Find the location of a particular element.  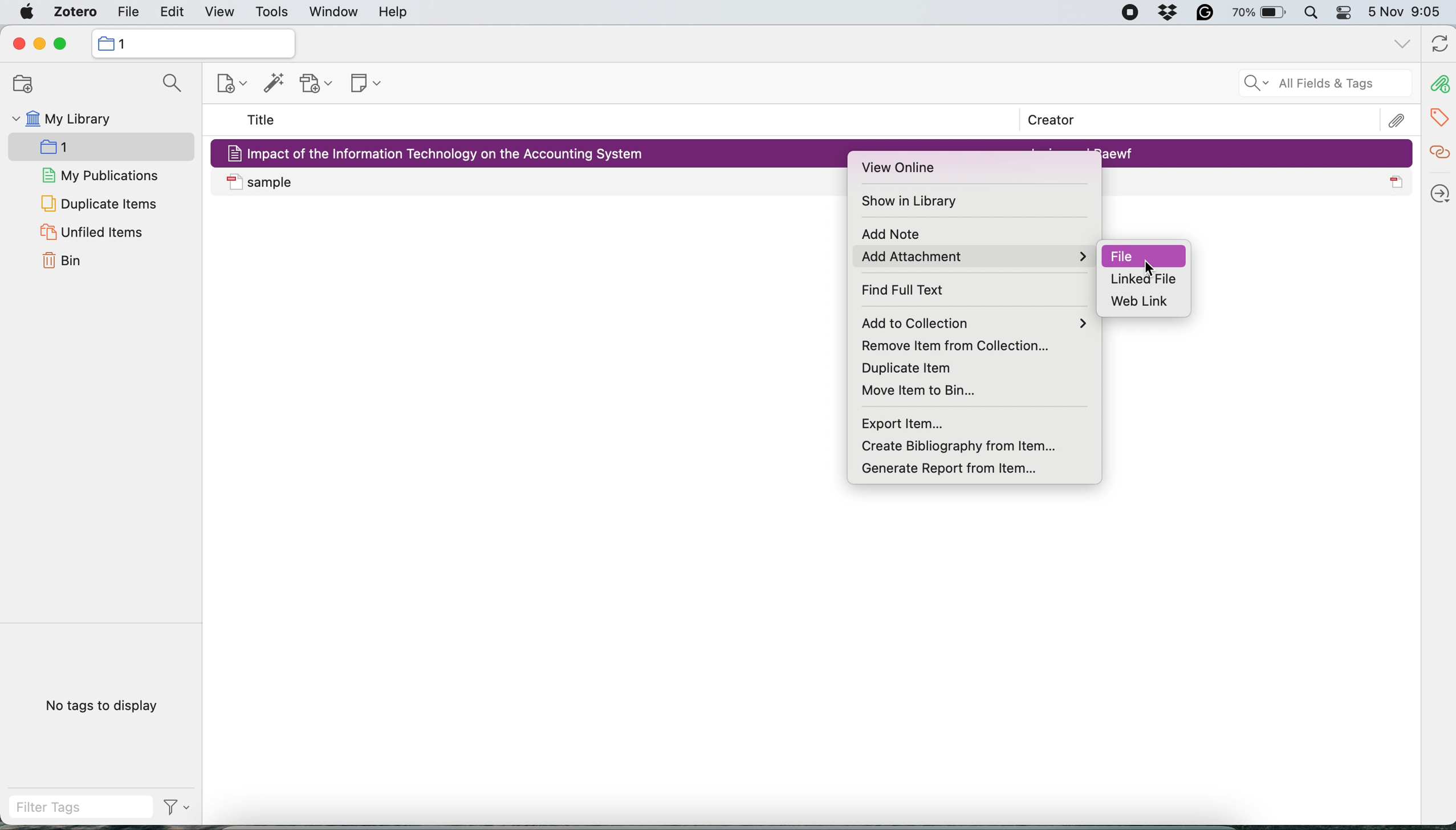

dropbox is located at coordinates (1170, 14).